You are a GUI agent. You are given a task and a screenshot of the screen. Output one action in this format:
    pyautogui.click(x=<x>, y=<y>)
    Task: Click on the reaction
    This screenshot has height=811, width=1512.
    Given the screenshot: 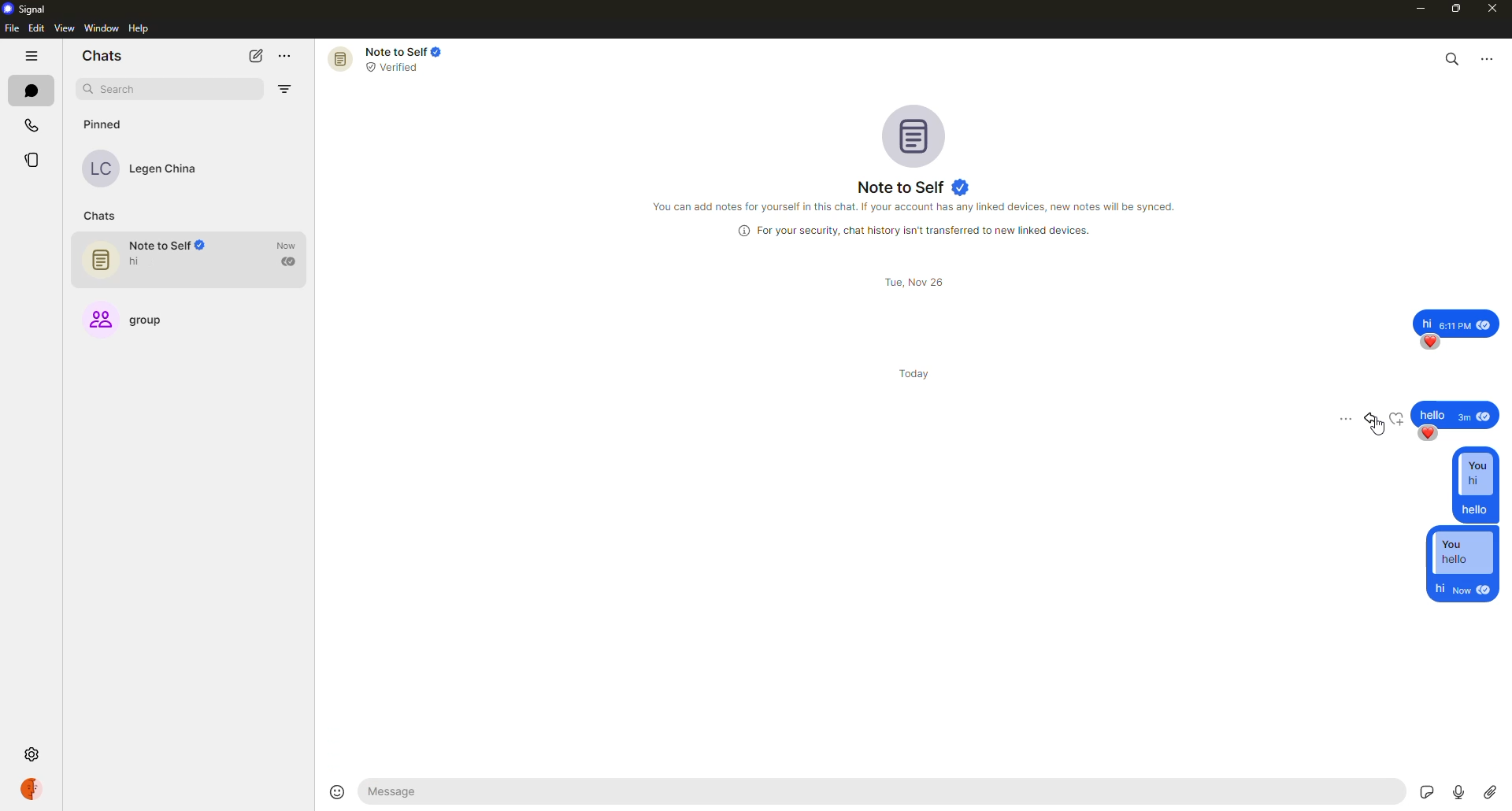 What is the action you would take?
    pyautogui.click(x=1432, y=343)
    